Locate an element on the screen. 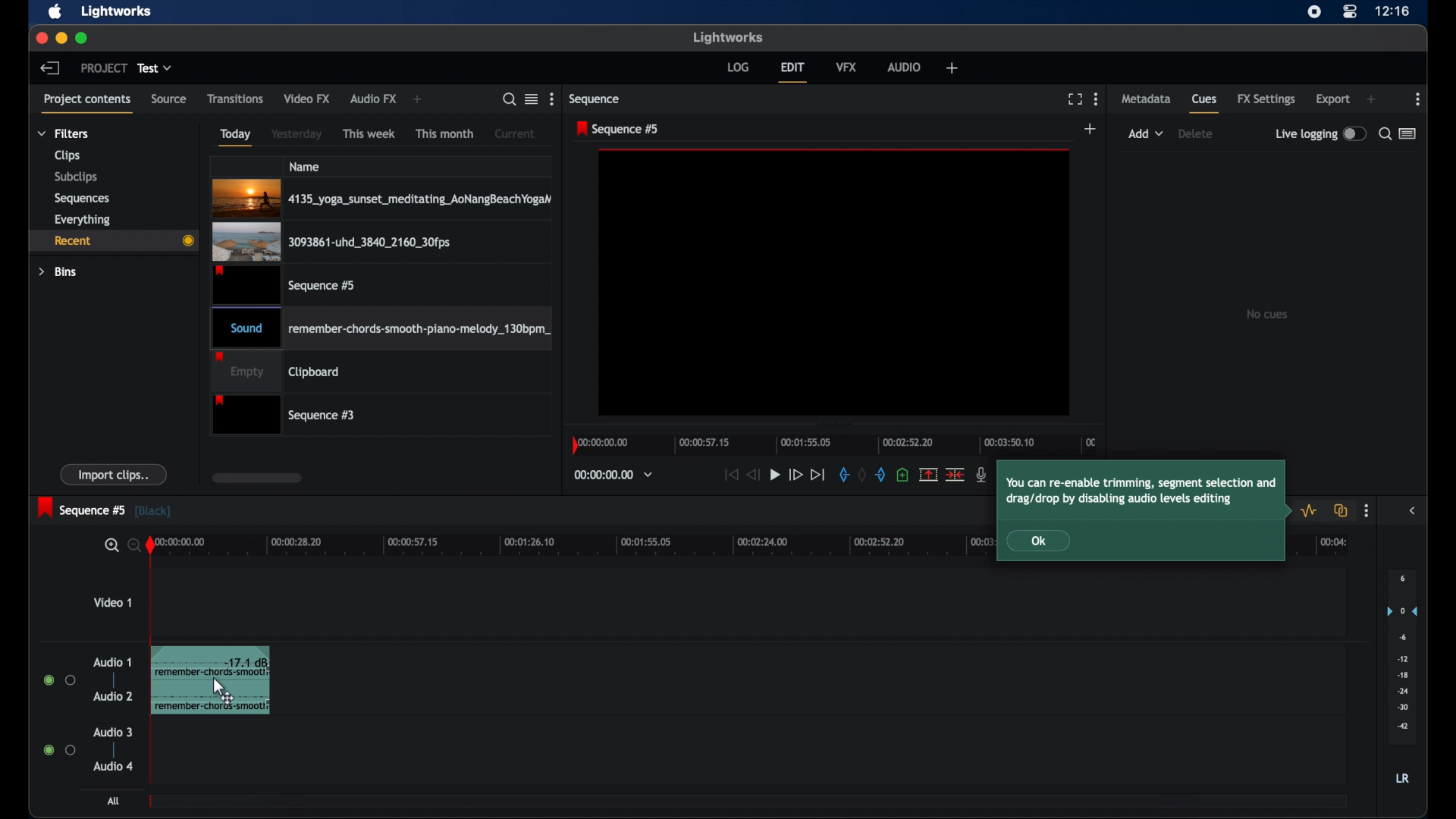 The image size is (1456, 819). audio is located at coordinates (904, 66).